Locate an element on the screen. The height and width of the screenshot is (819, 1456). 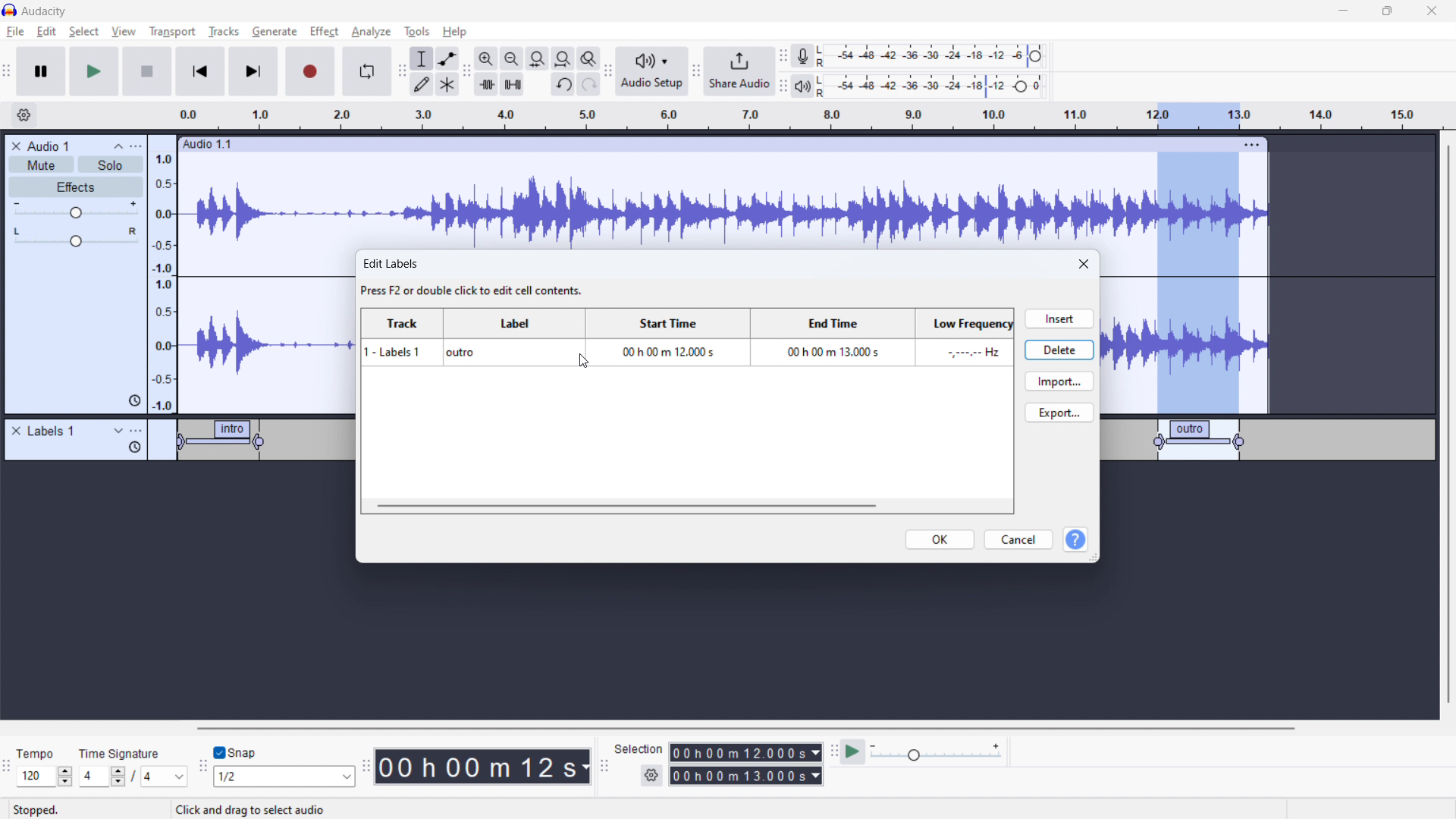
track title is located at coordinates (50, 146).